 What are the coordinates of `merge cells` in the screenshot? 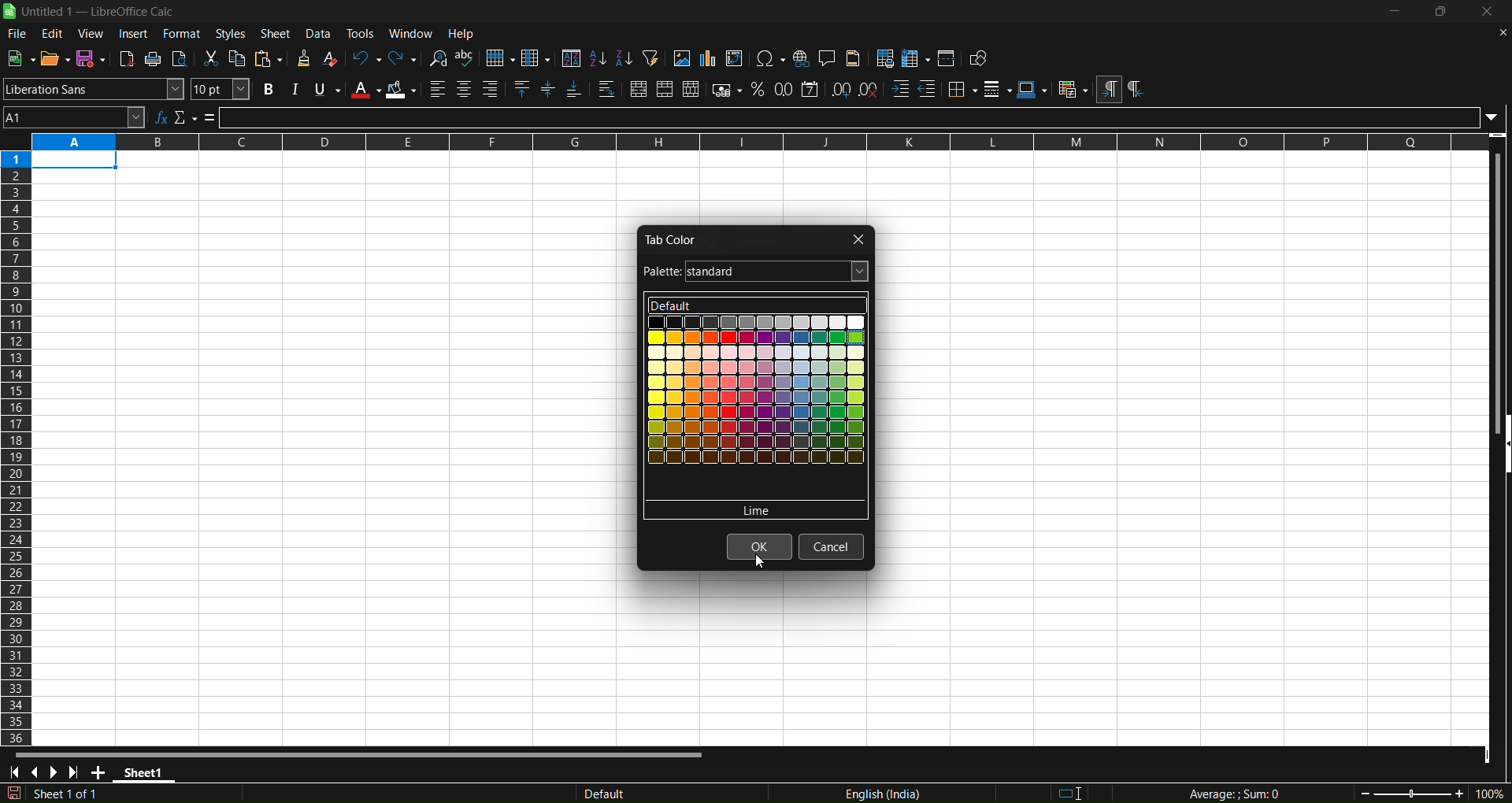 It's located at (665, 90).